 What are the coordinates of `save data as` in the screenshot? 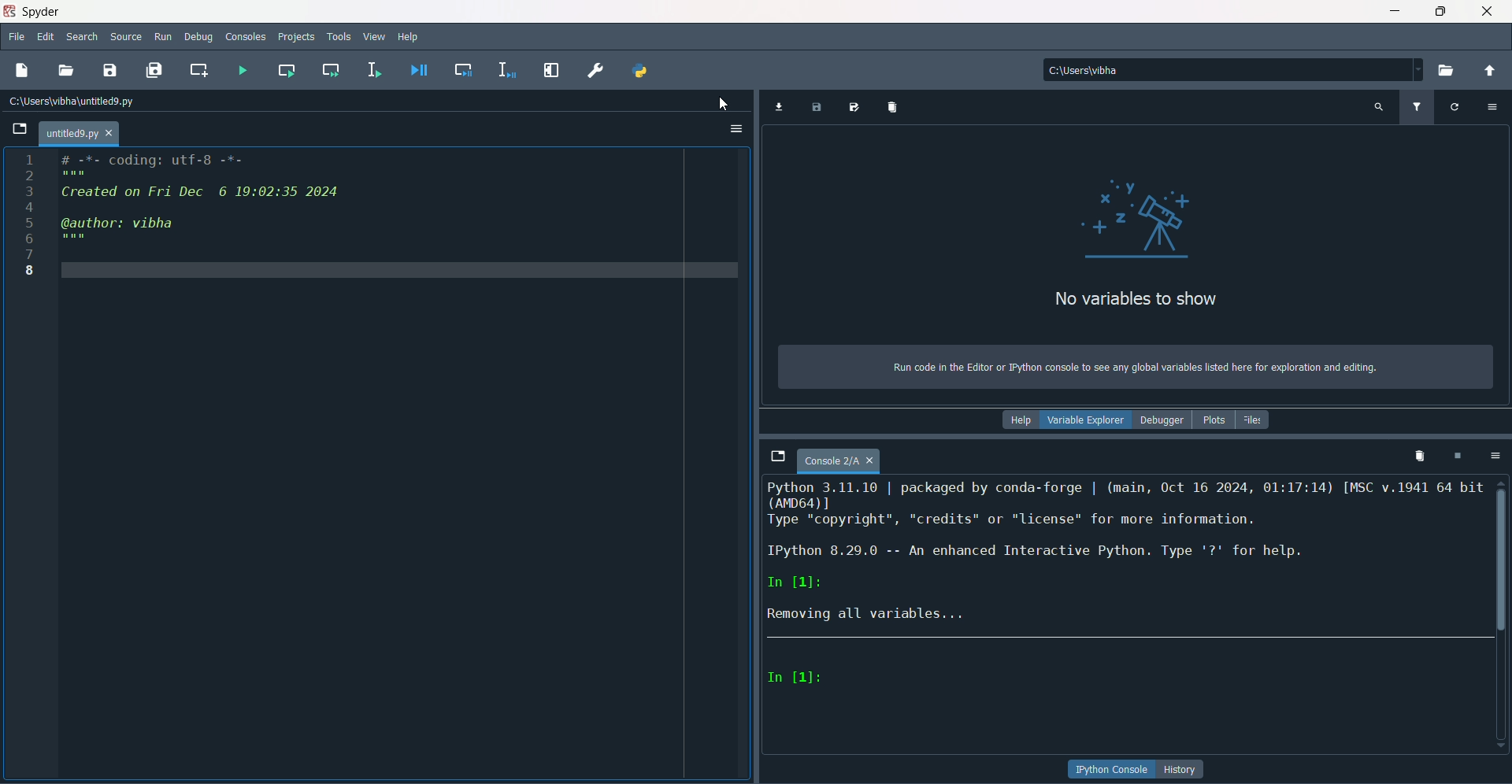 It's located at (856, 108).